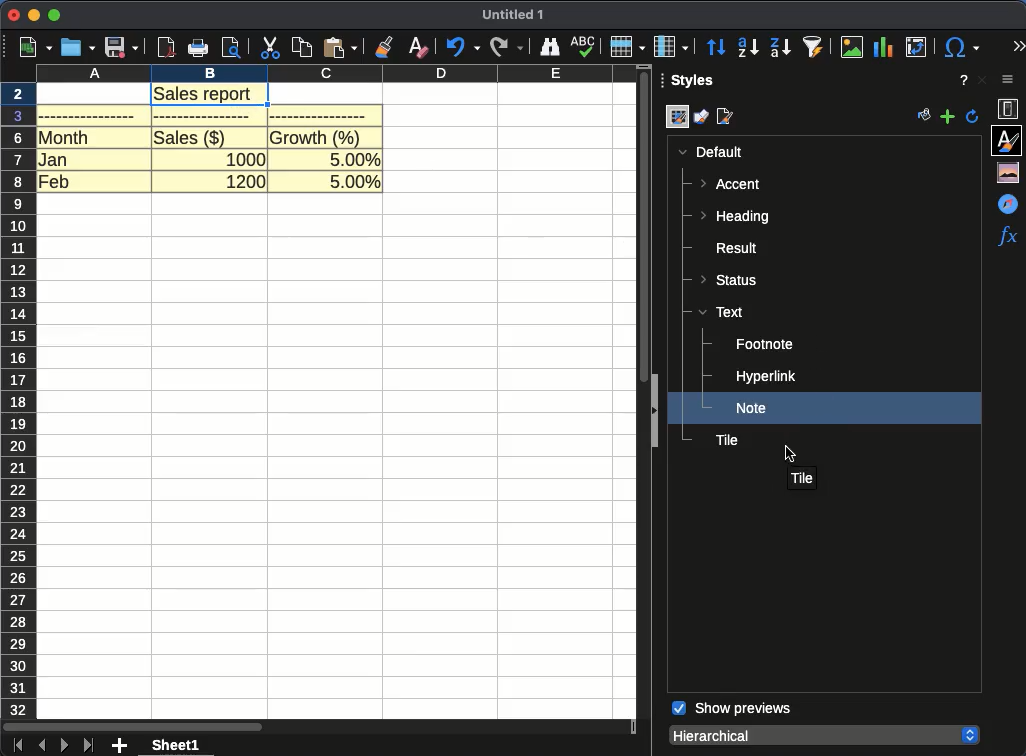 The width and height of the screenshot is (1026, 756). What do you see at coordinates (823, 734) in the screenshot?
I see `hierarchical ` at bounding box center [823, 734].